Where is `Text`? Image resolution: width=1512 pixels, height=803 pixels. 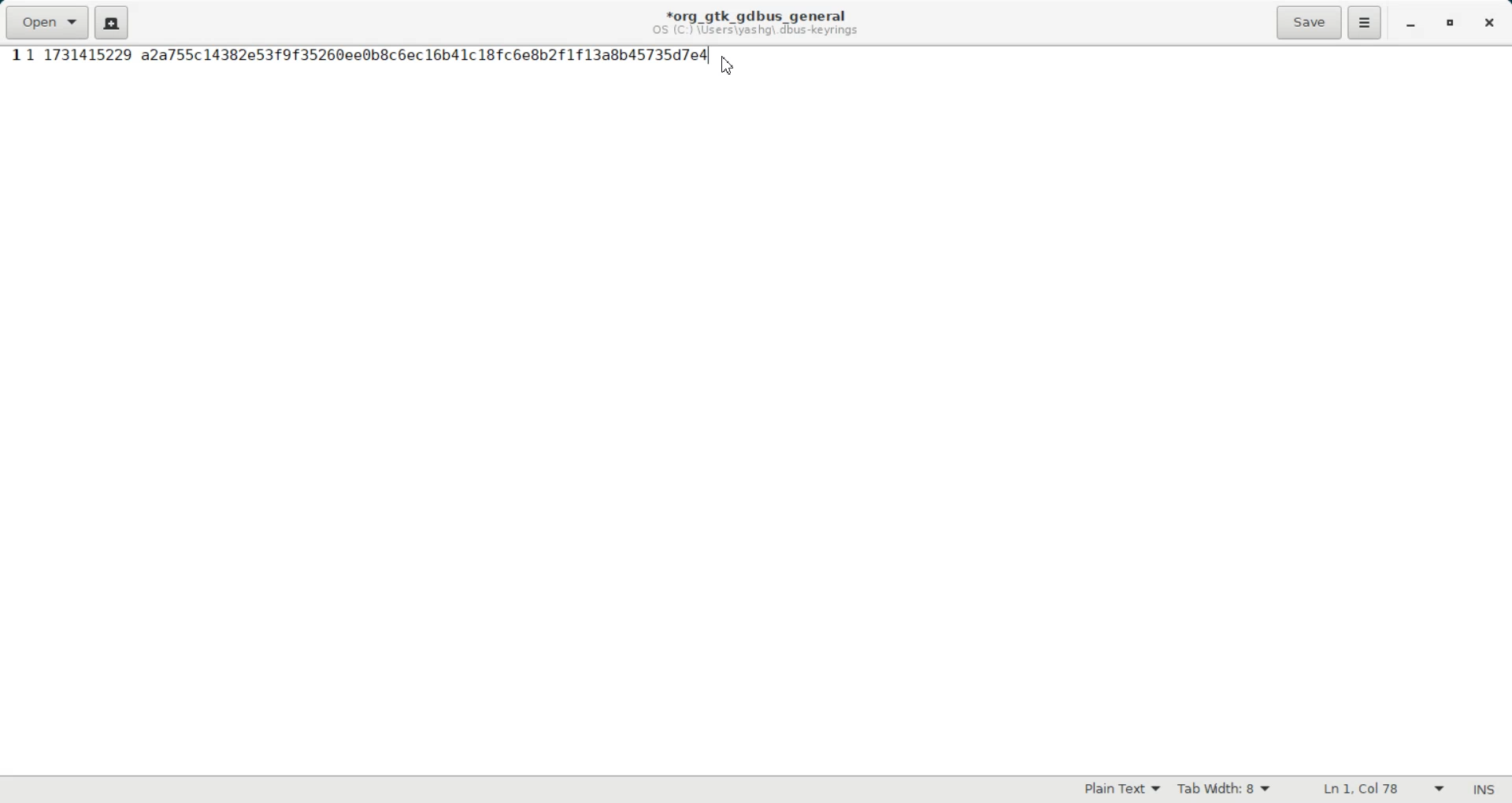
Text is located at coordinates (365, 56).